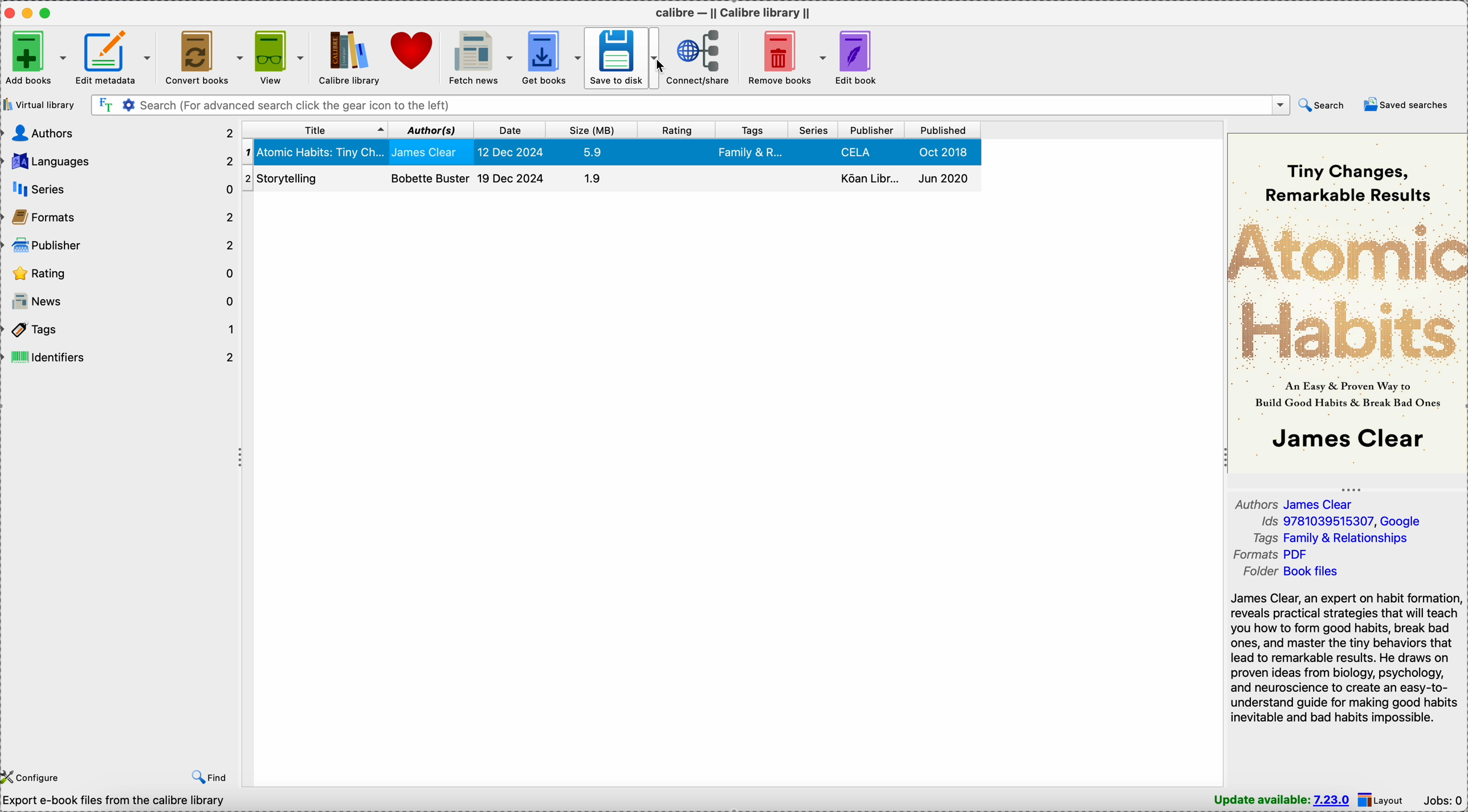  Describe the element at coordinates (129, 803) in the screenshot. I see `calibre 7.22 created by Kovid Goyal [2 books]` at that location.